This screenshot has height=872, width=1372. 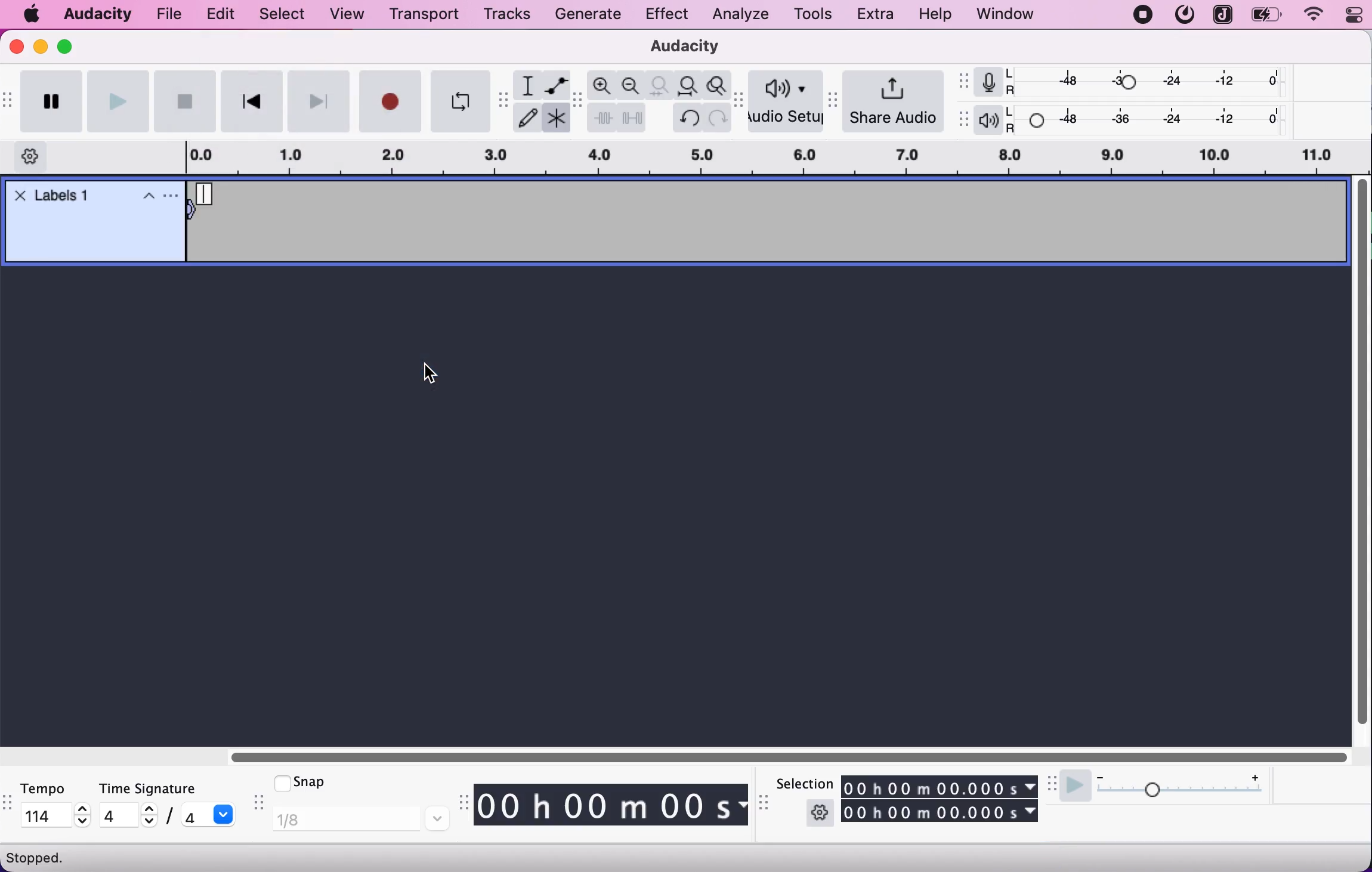 What do you see at coordinates (812, 13) in the screenshot?
I see `tools` at bounding box center [812, 13].